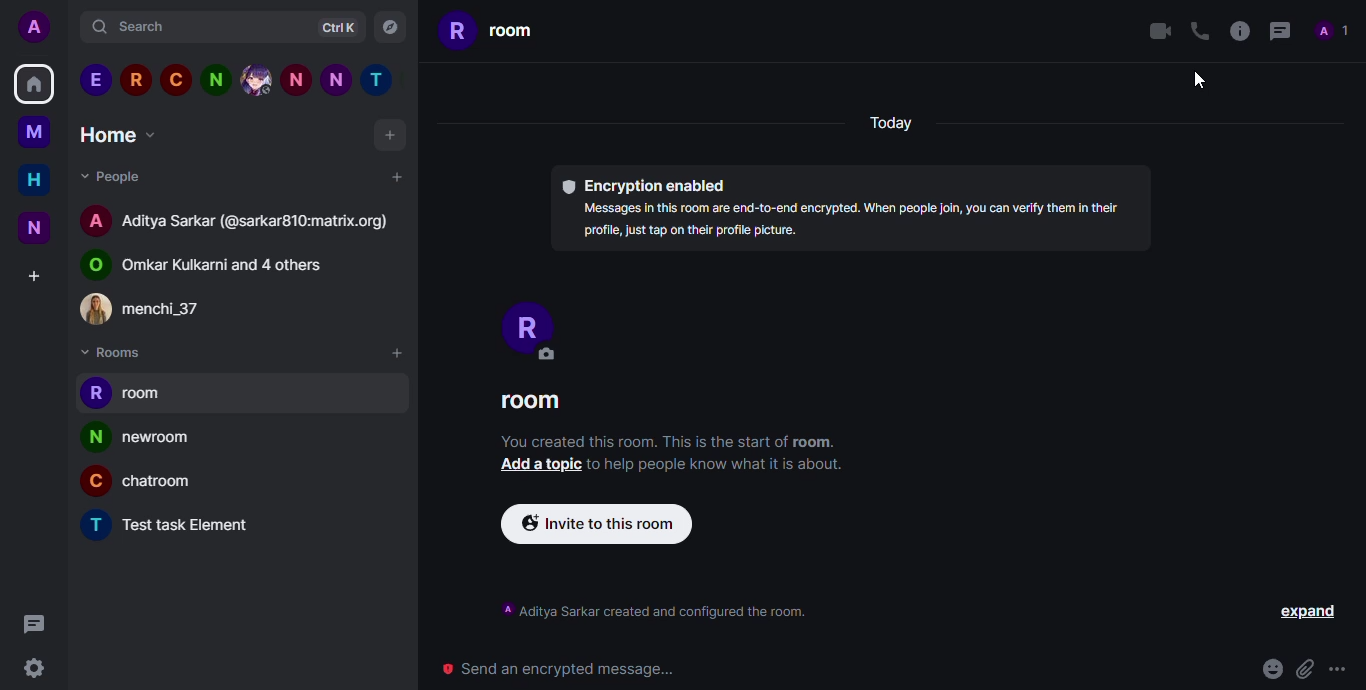 The image size is (1366, 690). I want to click on Cursor, so click(1200, 82).